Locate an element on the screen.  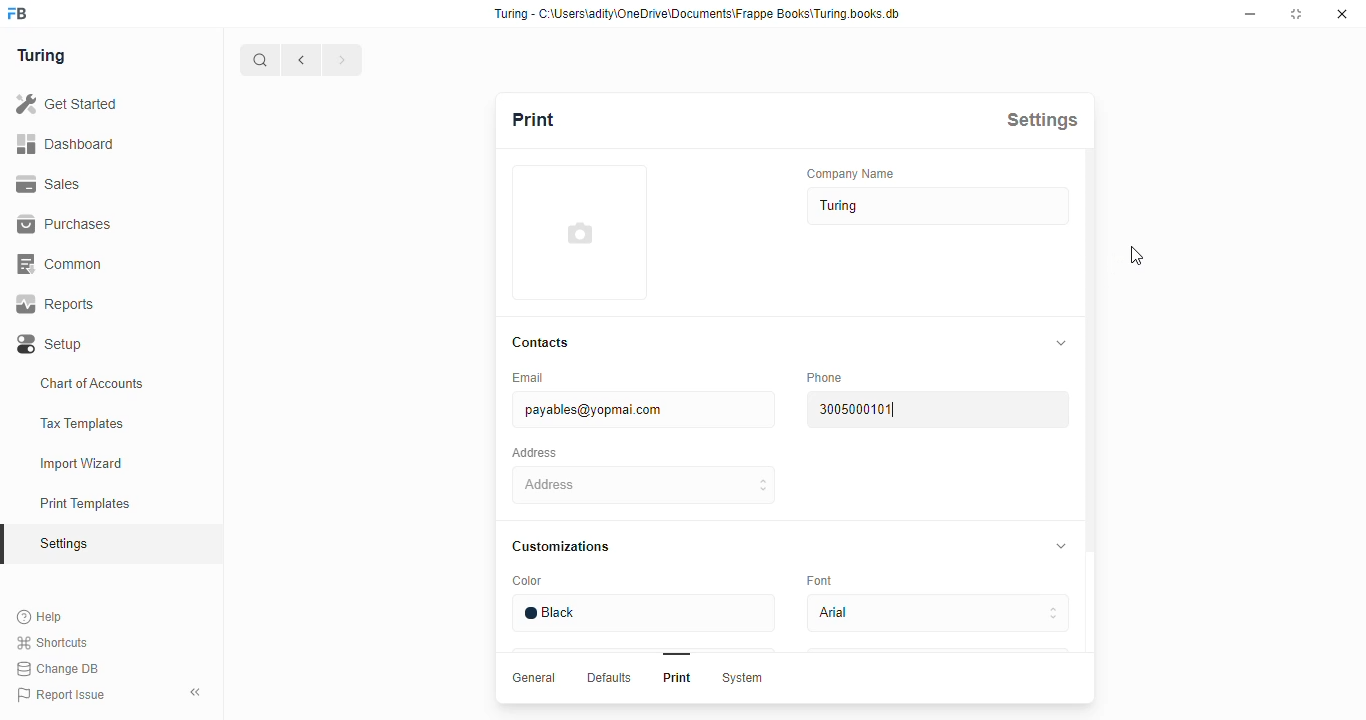
collapse is located at coordinates (1056, 341).